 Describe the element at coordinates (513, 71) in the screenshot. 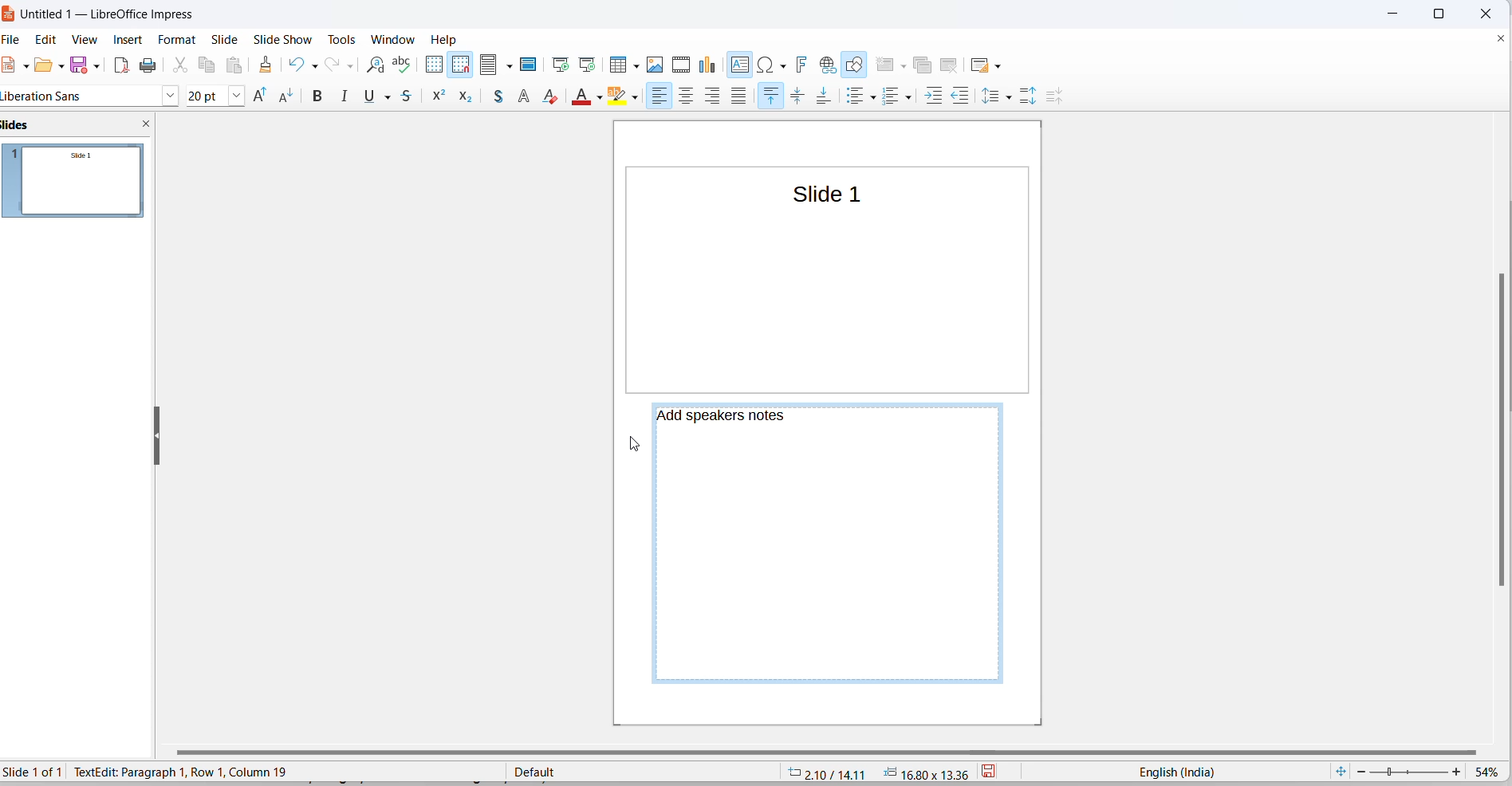

I see `cursor` at that location.